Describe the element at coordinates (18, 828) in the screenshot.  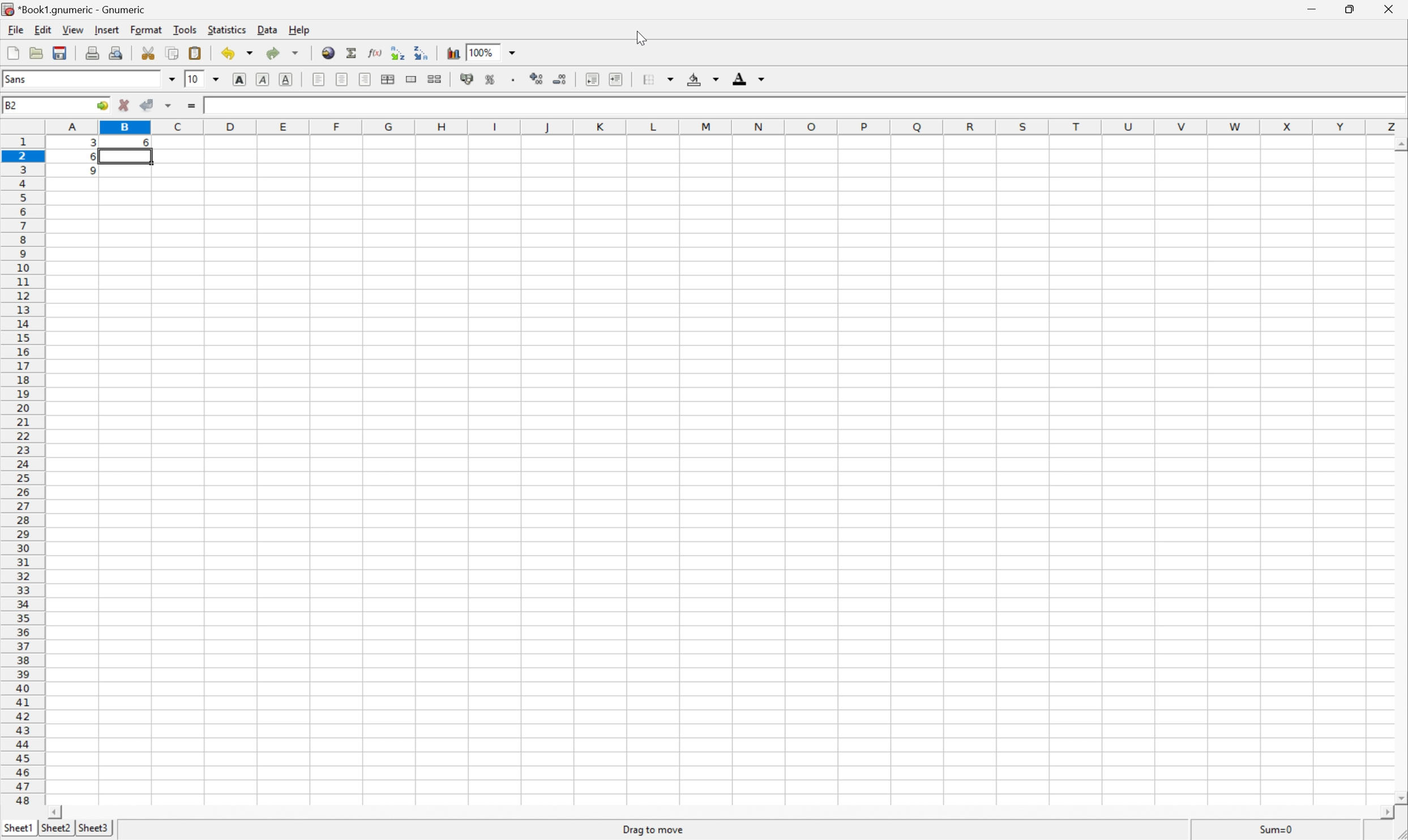
I see `Sheet1` at that location.